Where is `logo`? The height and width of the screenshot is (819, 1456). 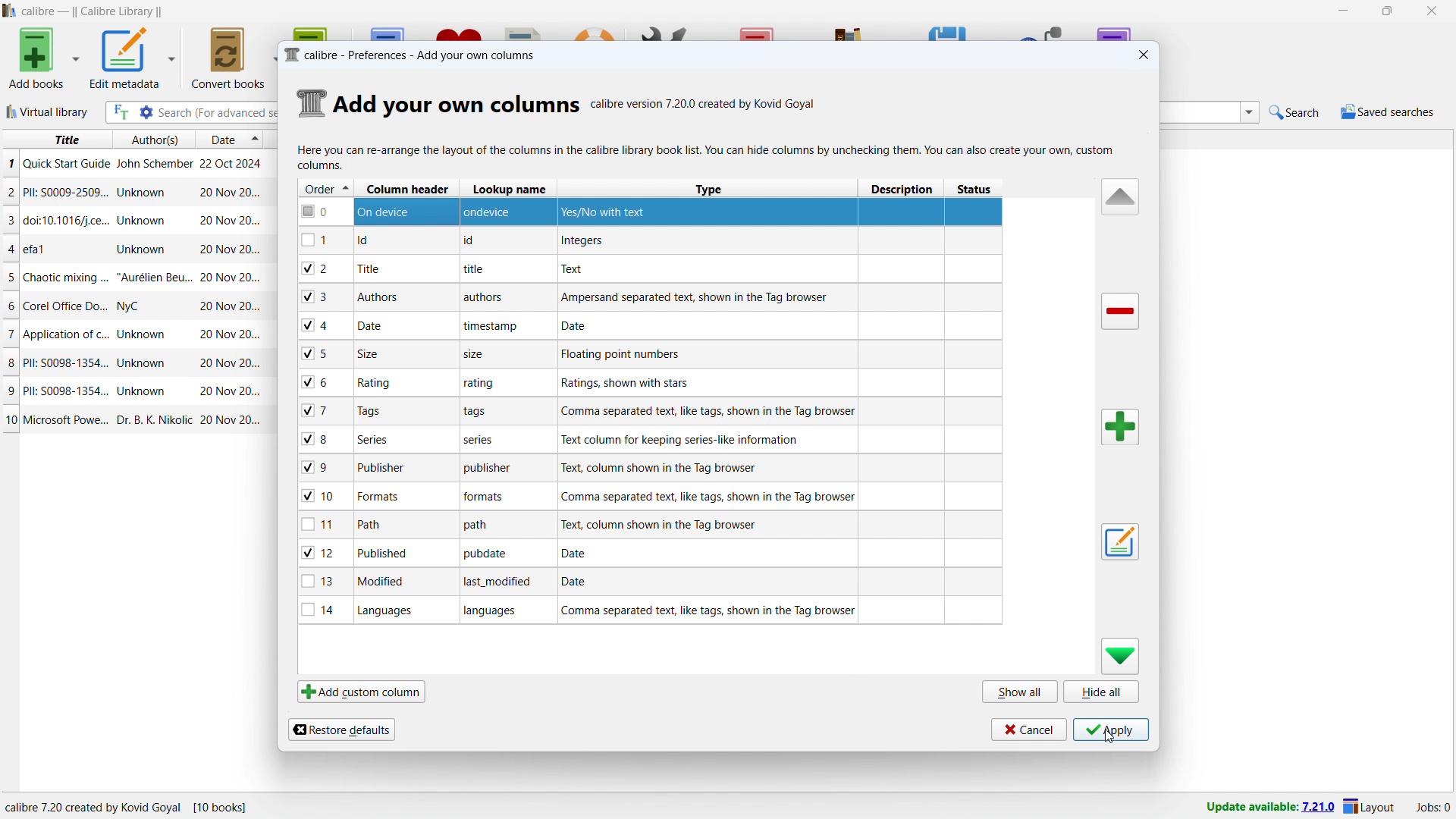
logo is located at coordinates (10, 11).